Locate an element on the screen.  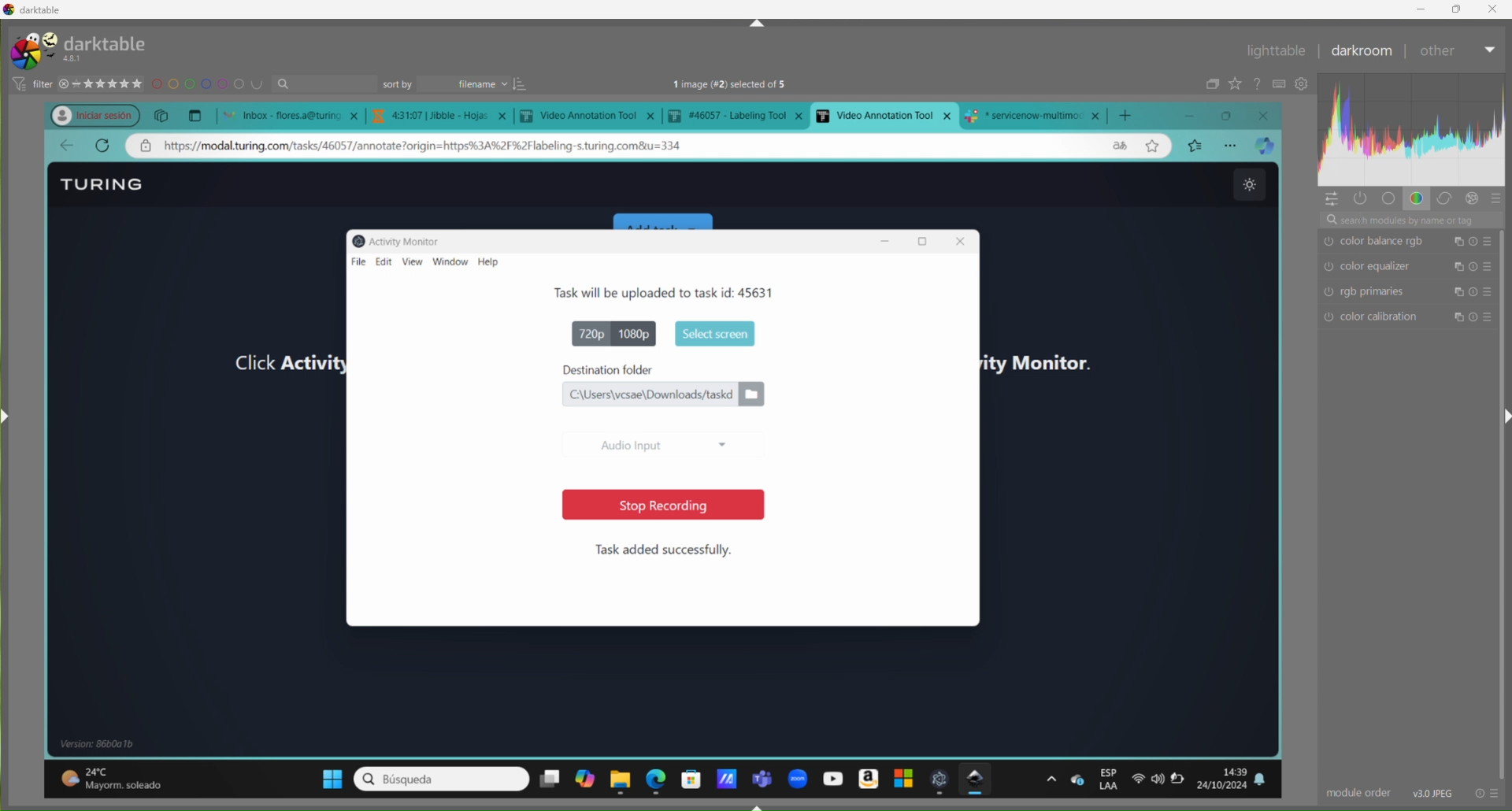
destination folder is located at coordinates (664, 369).